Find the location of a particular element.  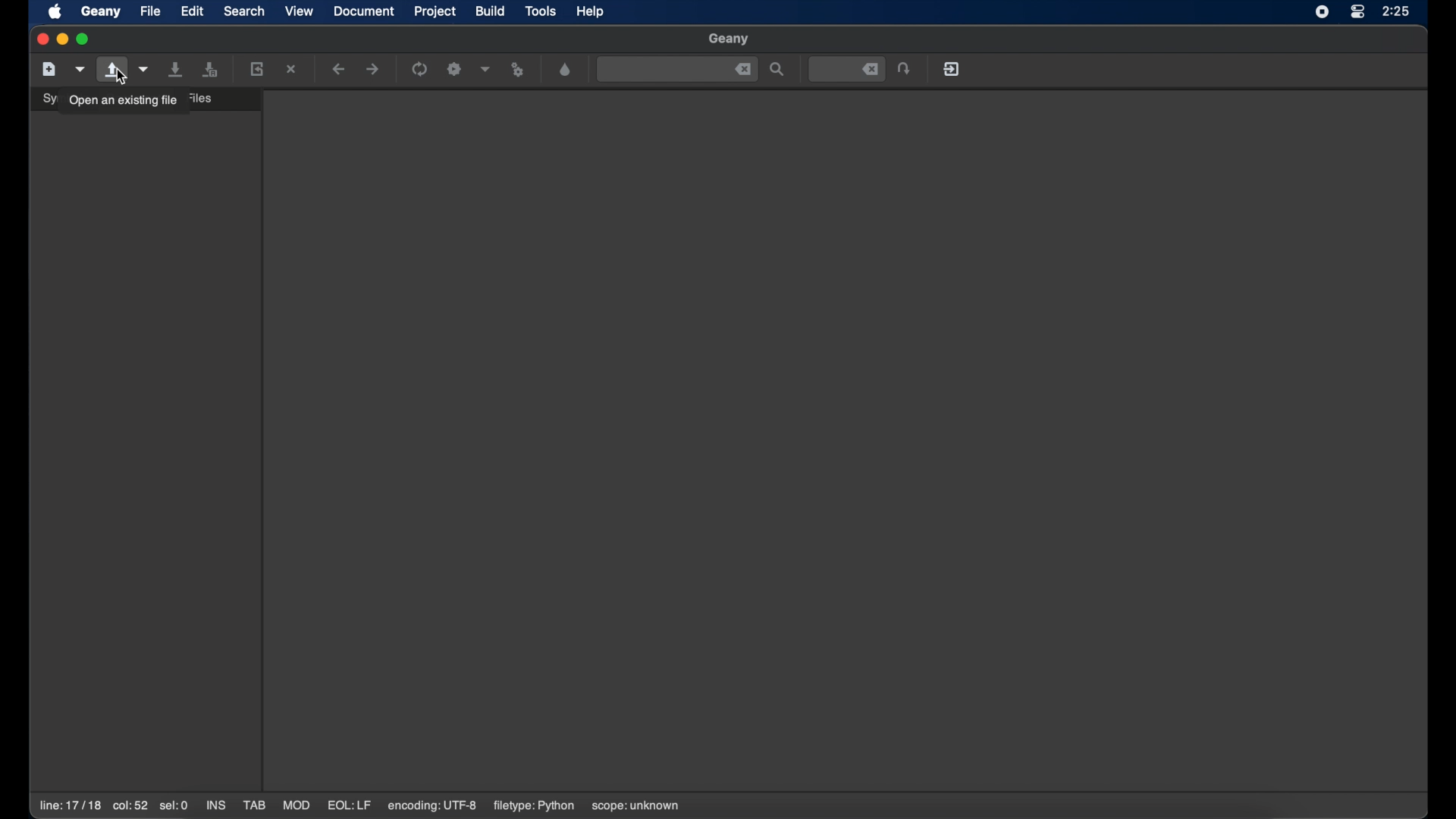

find the entered text in the current file is located at coordinates (676, 69).